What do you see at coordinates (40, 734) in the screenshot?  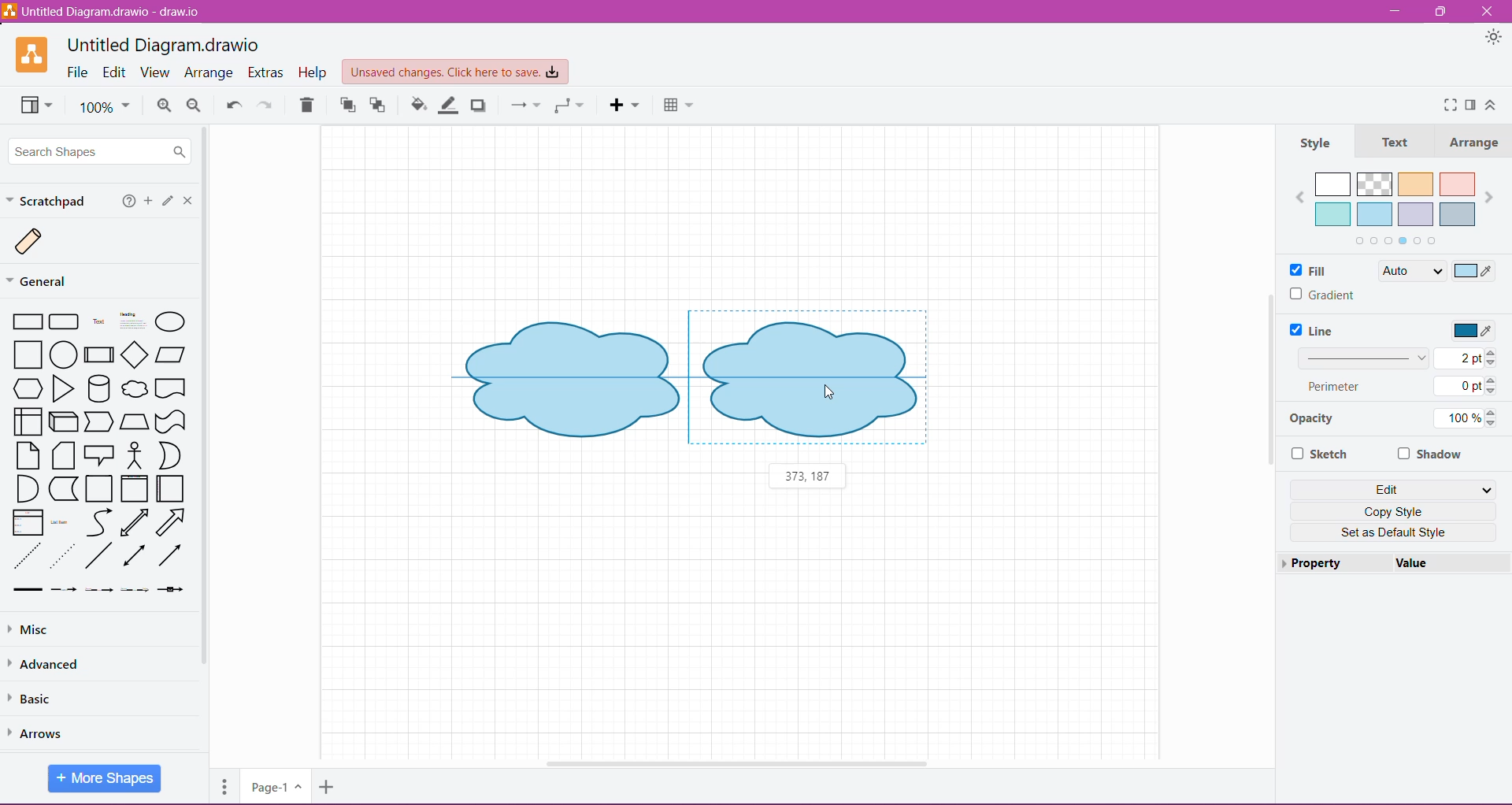 I see `Arrows` at bounding box center [40, 734].